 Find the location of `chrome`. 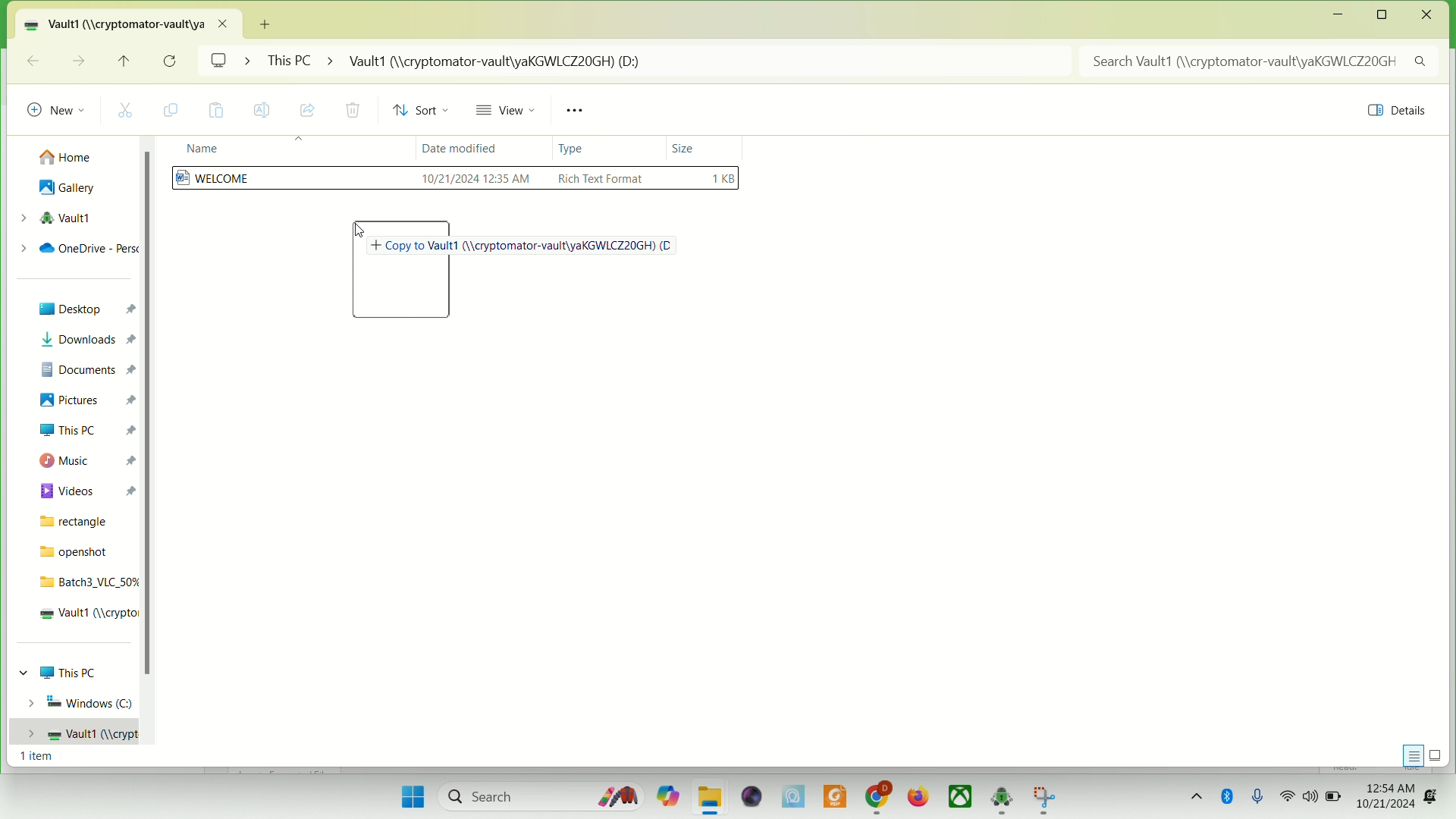

chrome is located at coordinates (877, 795).